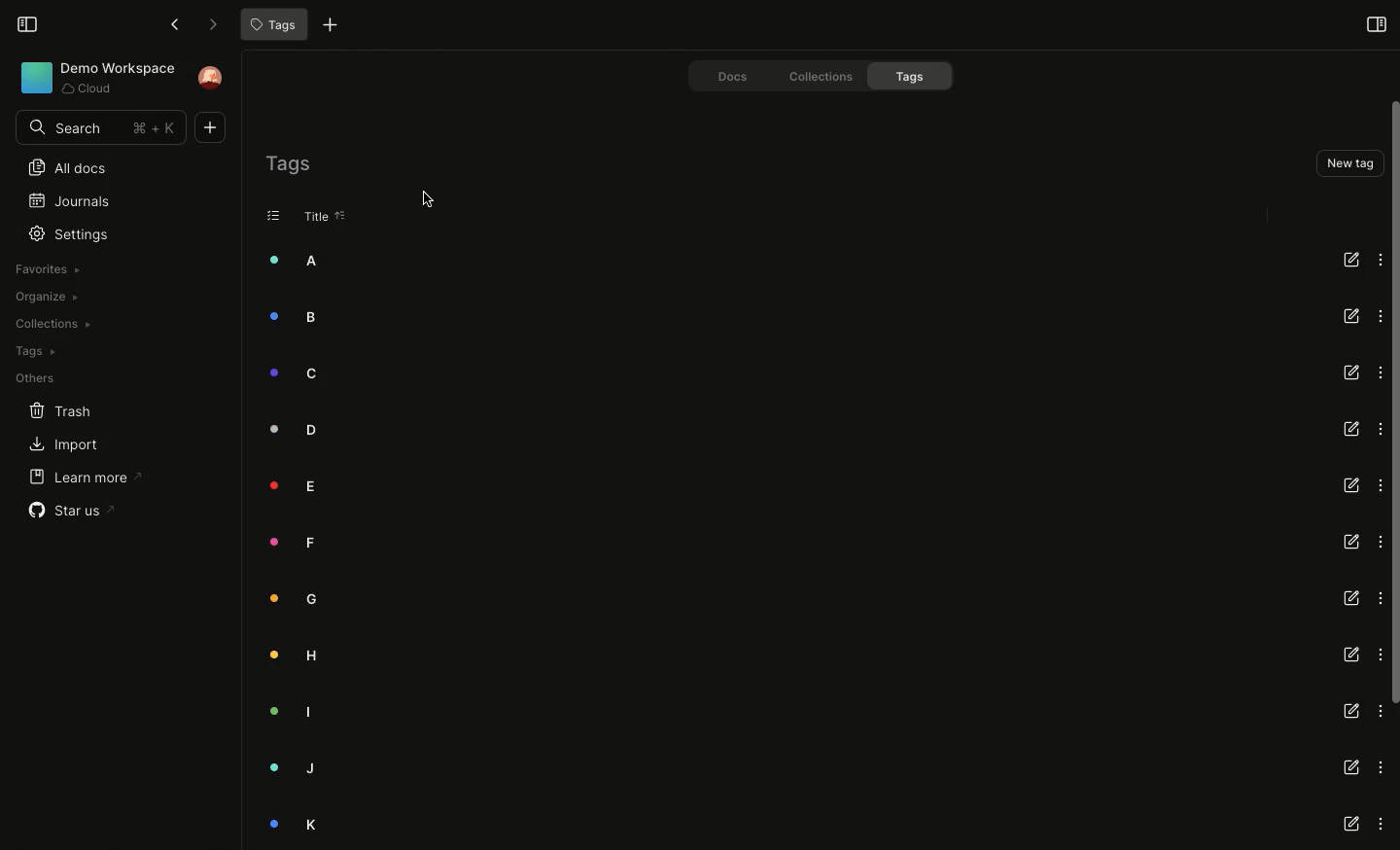 This screenshot has height=850, width=1400. I want to click on E, so click(297, 485).